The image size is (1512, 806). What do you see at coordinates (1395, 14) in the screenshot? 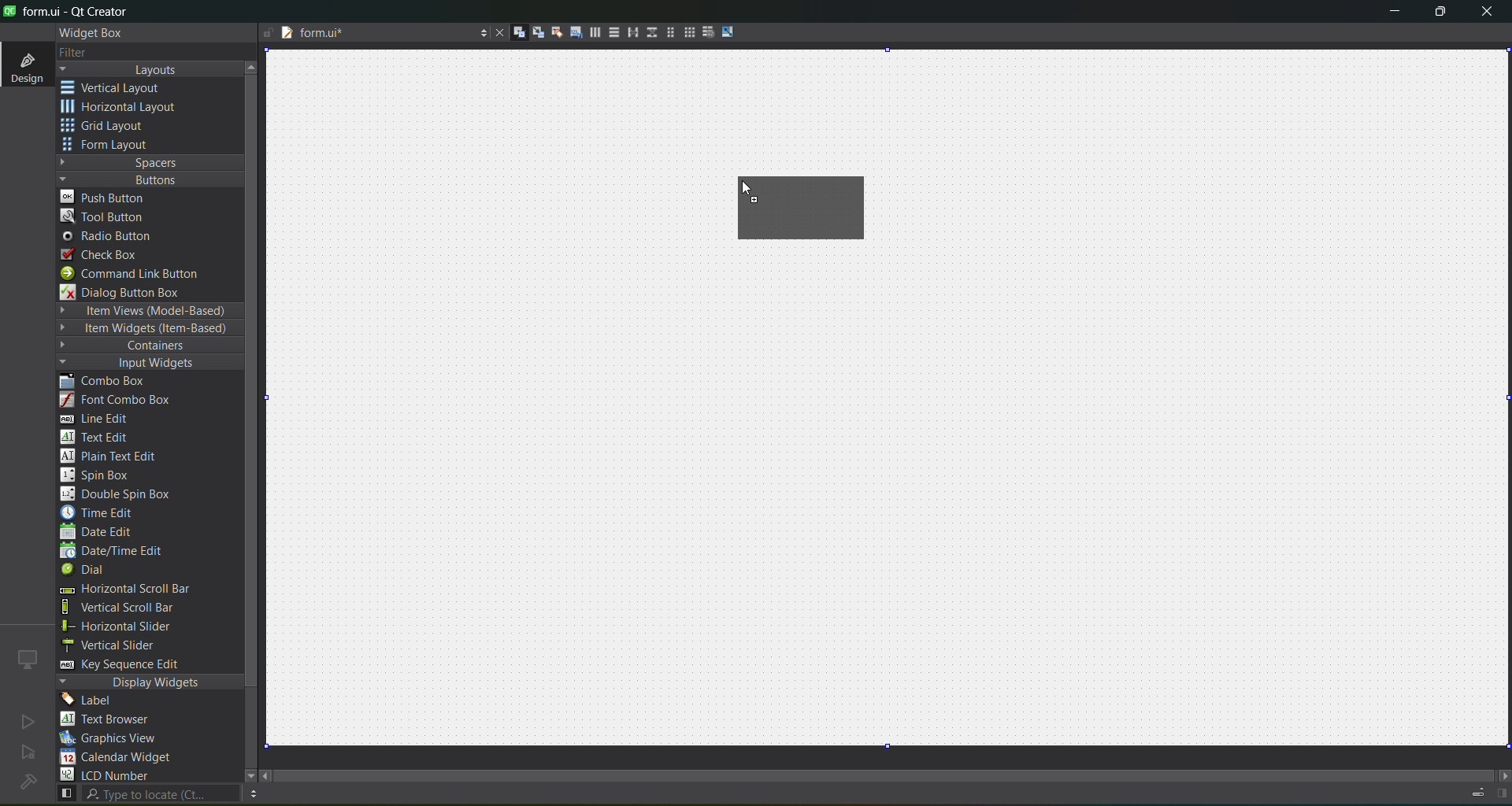
I see `minimize` at bounding box center [1395, 14].